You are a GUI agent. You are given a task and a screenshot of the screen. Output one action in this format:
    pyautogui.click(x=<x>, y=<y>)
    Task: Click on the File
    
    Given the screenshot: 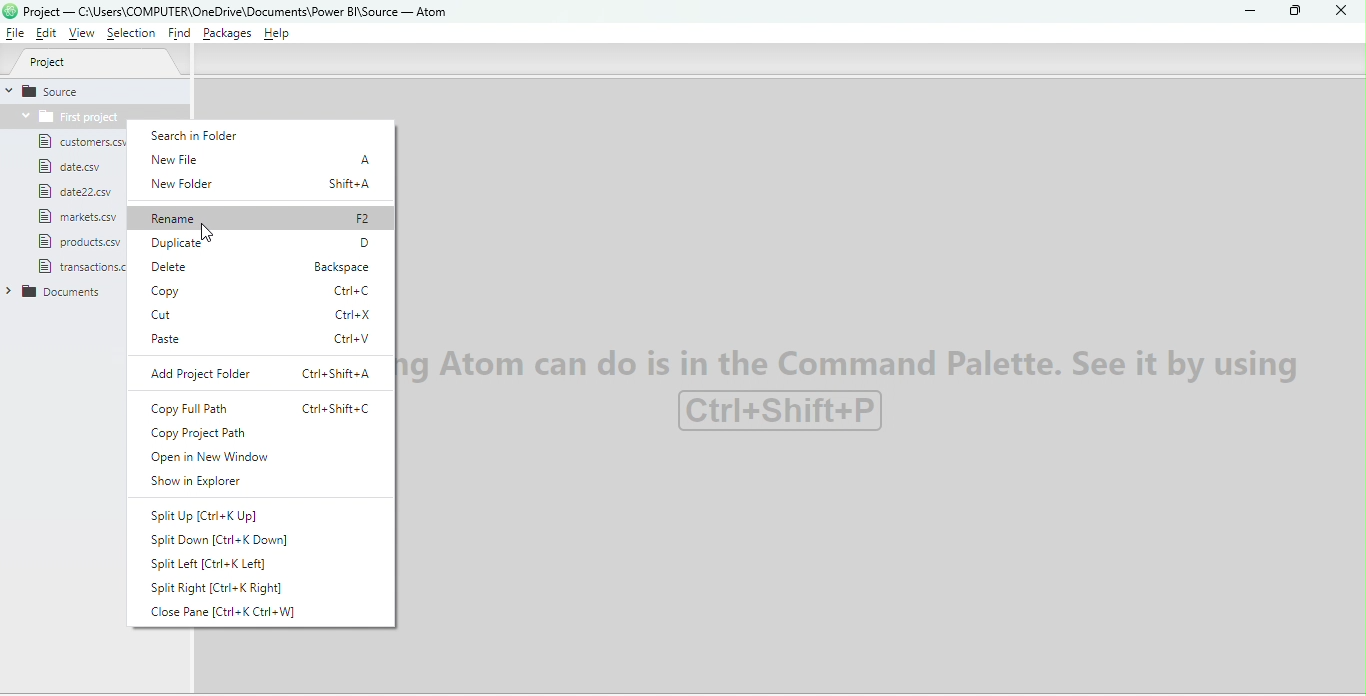 What is the action you would take?
    pyautogui.click(x=15, y=34)
    